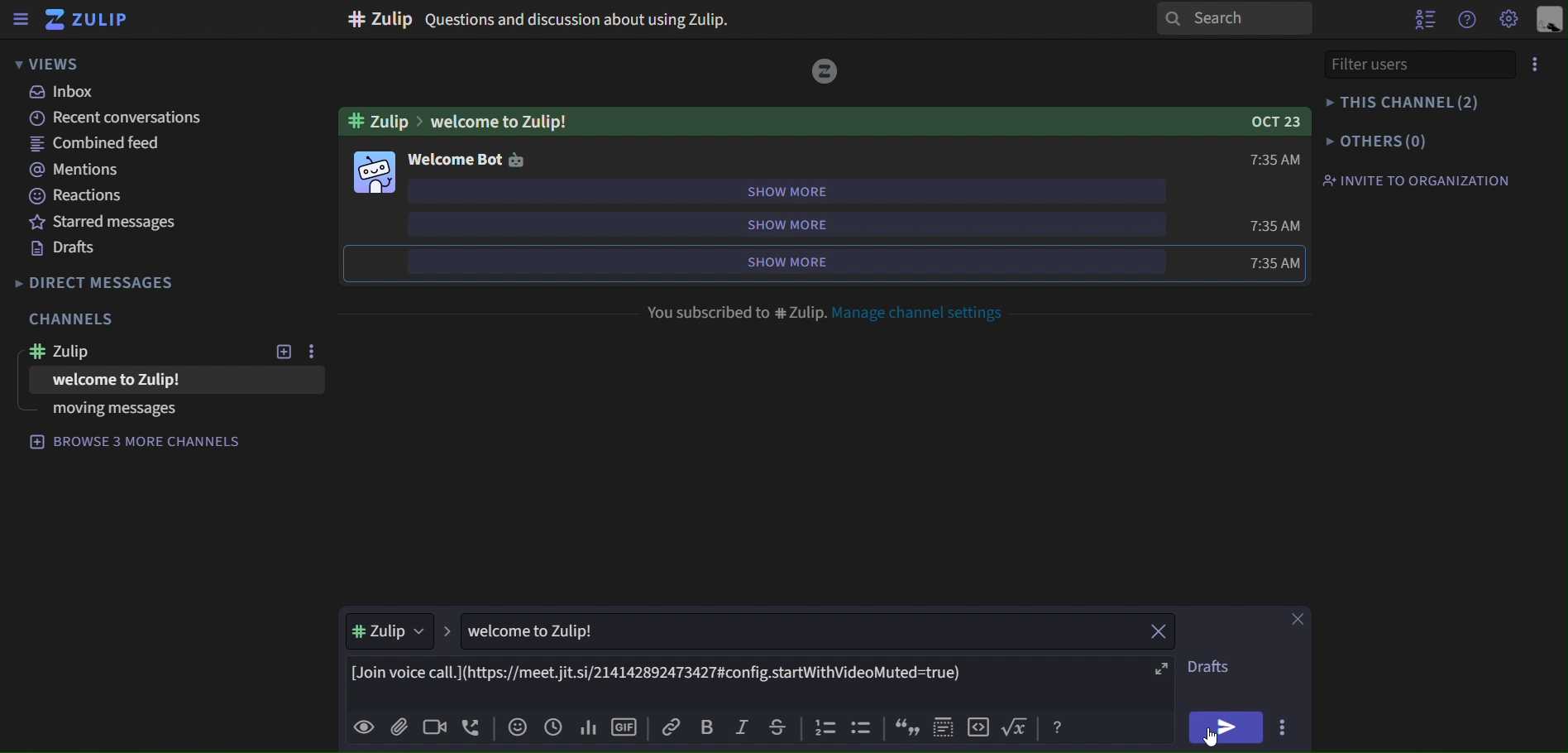 The width and height of the screenshot is (1568, 753). Describe the element at coordinates (709, 727) in the screenshot. I see `bold` at that location.